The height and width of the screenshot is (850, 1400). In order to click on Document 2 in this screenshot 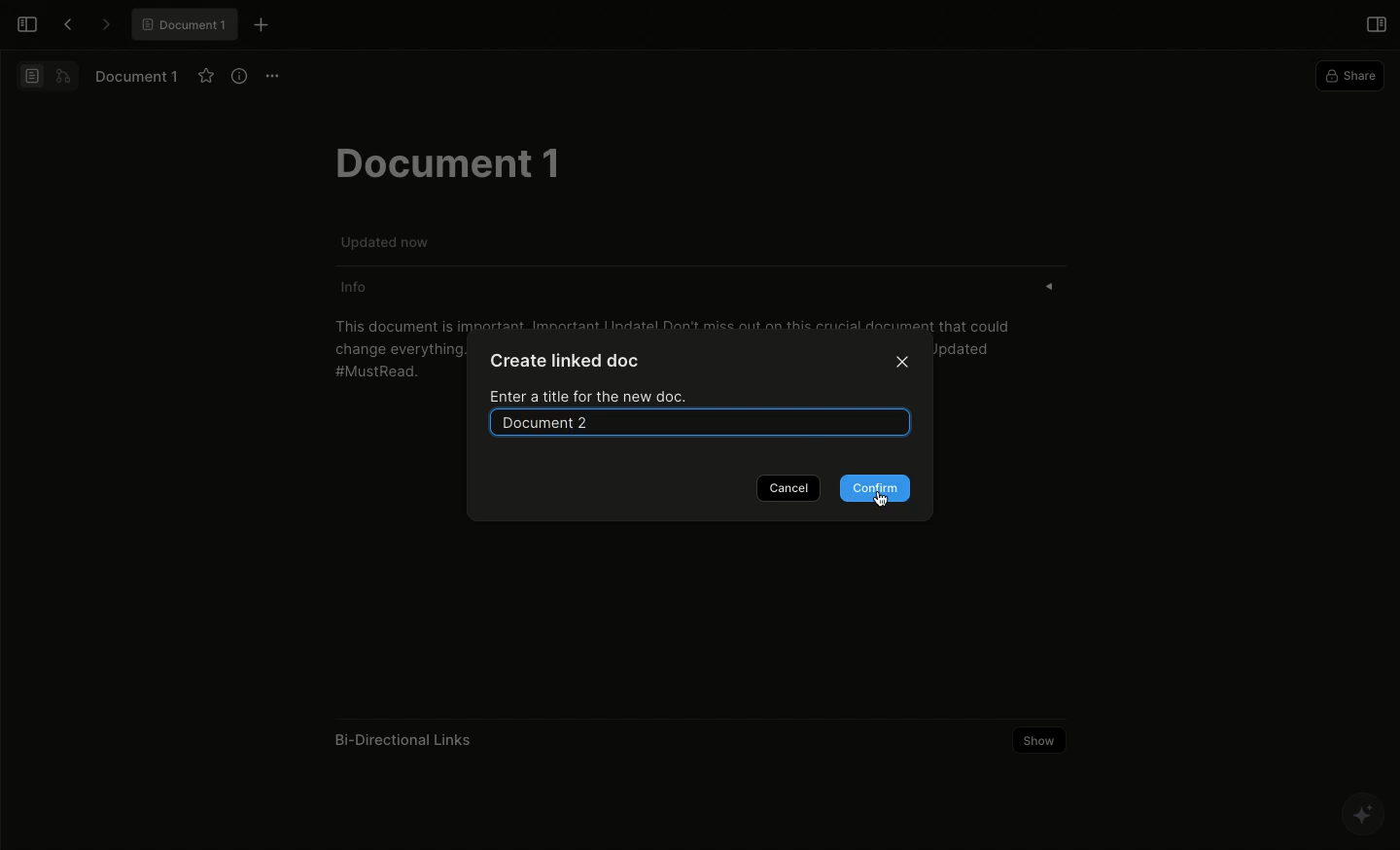, I will do `click(709, 420)`.